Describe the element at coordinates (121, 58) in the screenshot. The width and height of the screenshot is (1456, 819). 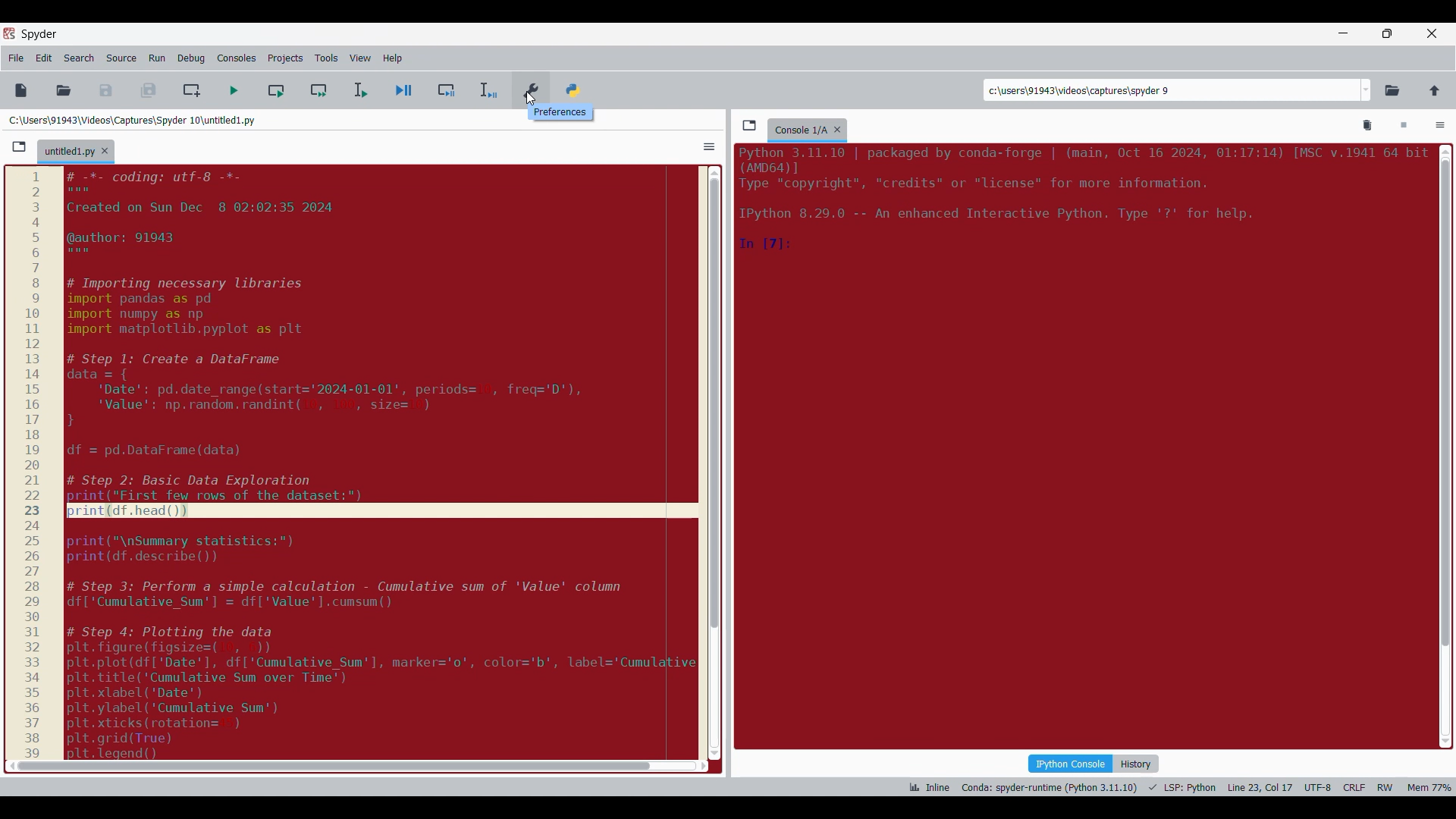
I see `Source menu` at that location.